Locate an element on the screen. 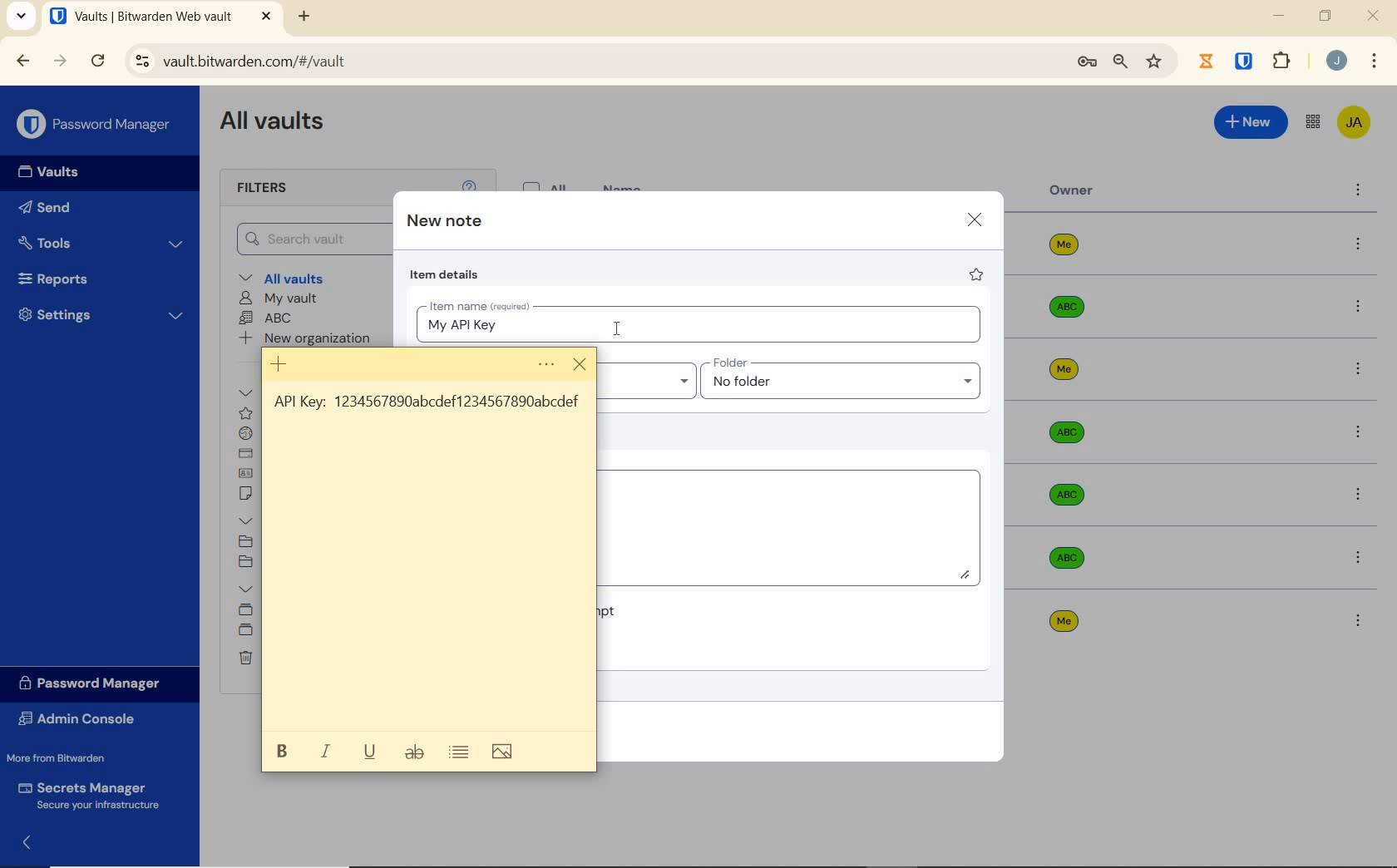 This screenshot has height=868, width=1397. Reports is located at coordinates (95, 280).